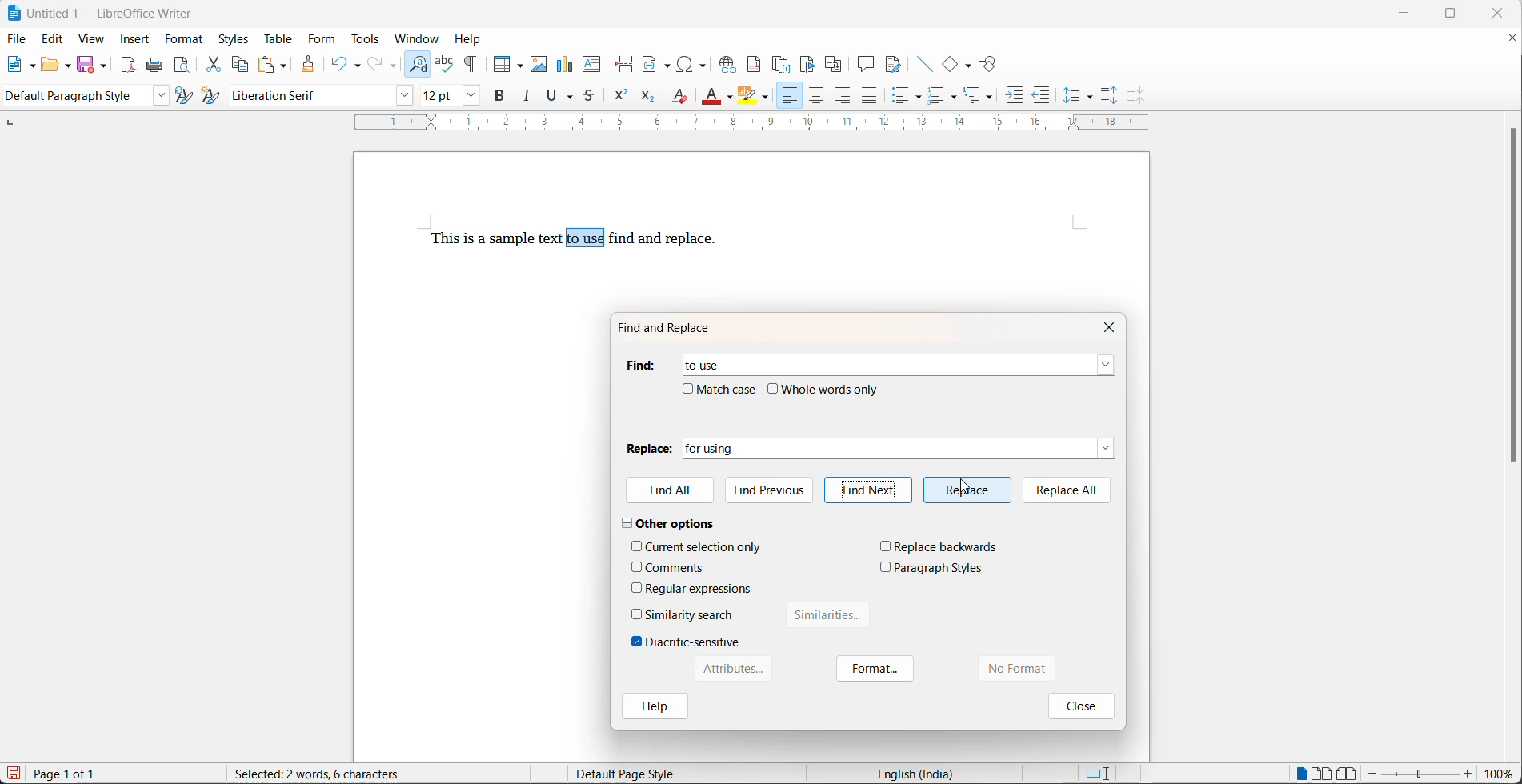  I want to click on clone formatting, so click(310, 65).